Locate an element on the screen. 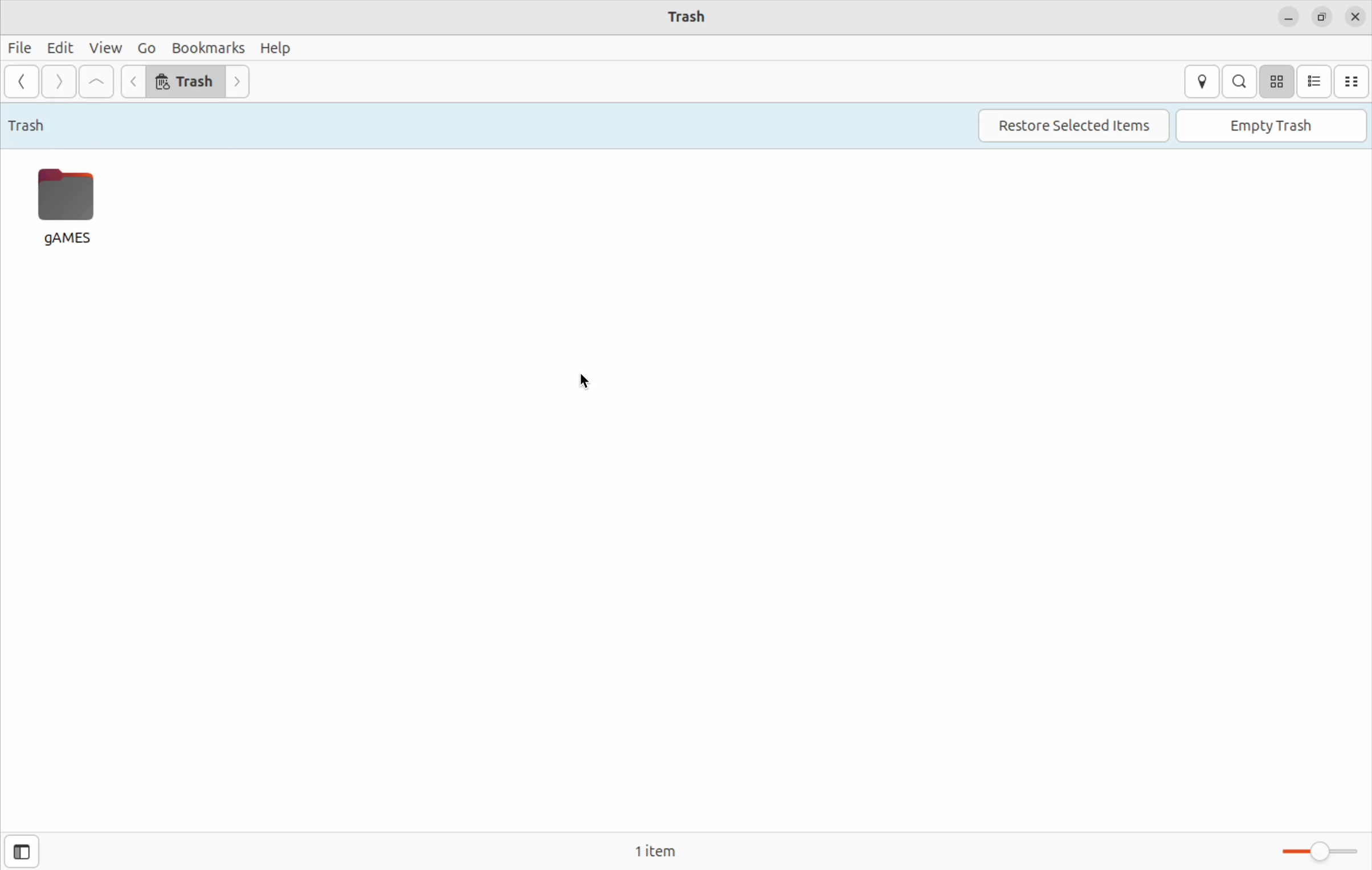 This screenshot has height=870, width=1372. Go back ward is located at coordinates (23, 81).